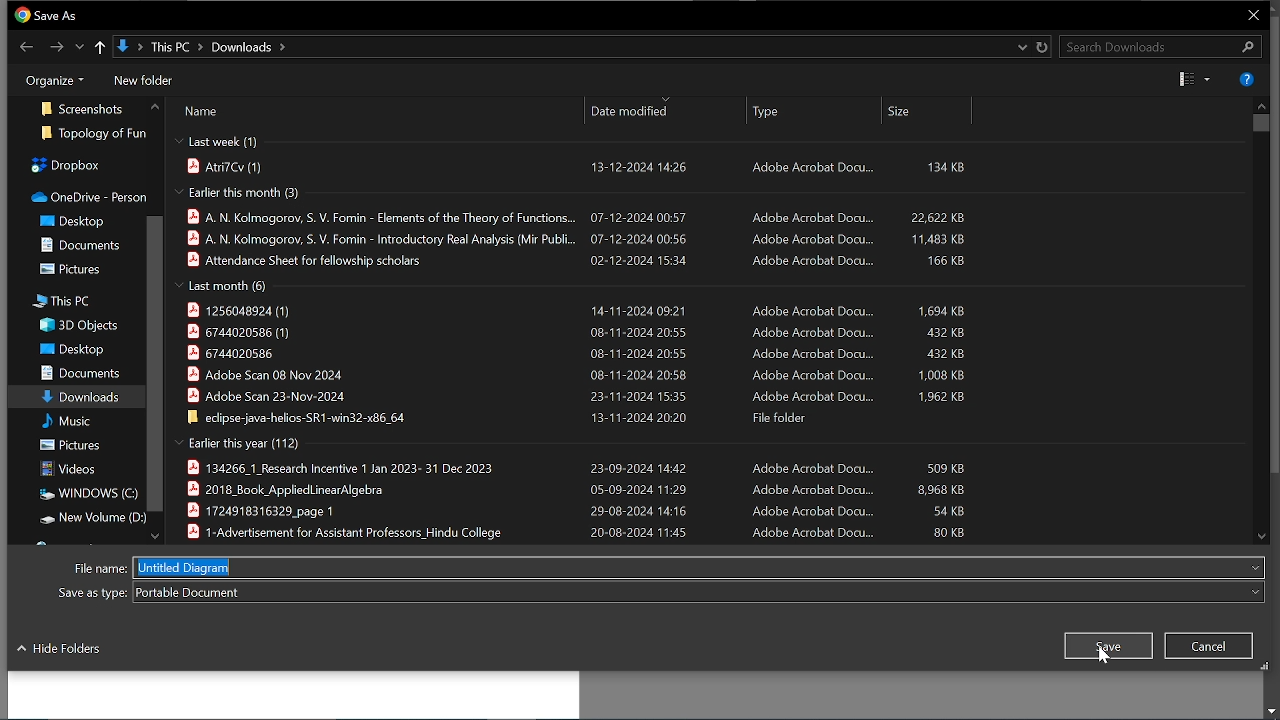 The height and width of the screenshot is (720, 1280). Describe the element at coordinates (82, 373) in the screenshot. I see `documents` at that location.